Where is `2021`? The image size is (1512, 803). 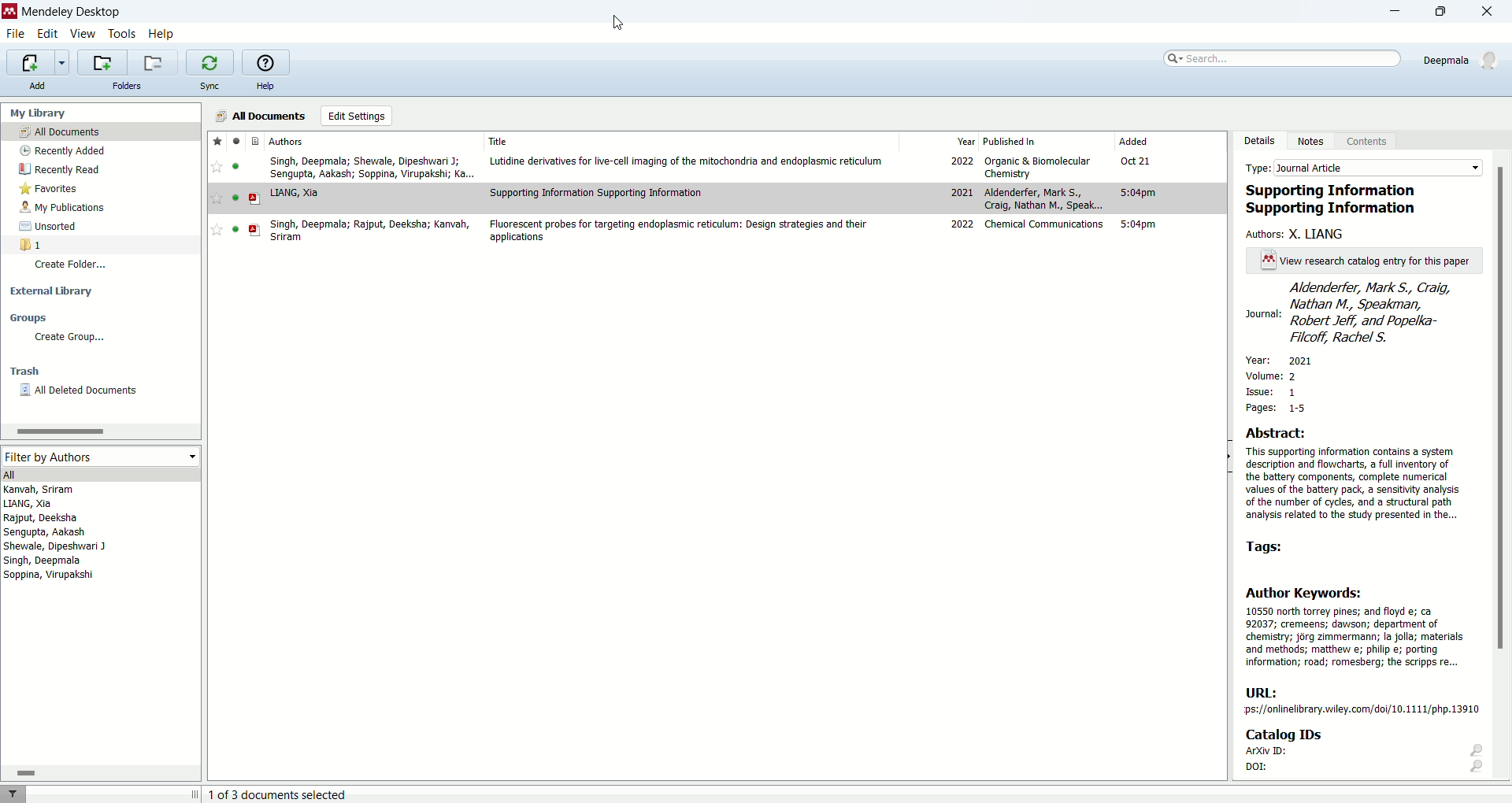
2021 is located at coordinates (961, 191).